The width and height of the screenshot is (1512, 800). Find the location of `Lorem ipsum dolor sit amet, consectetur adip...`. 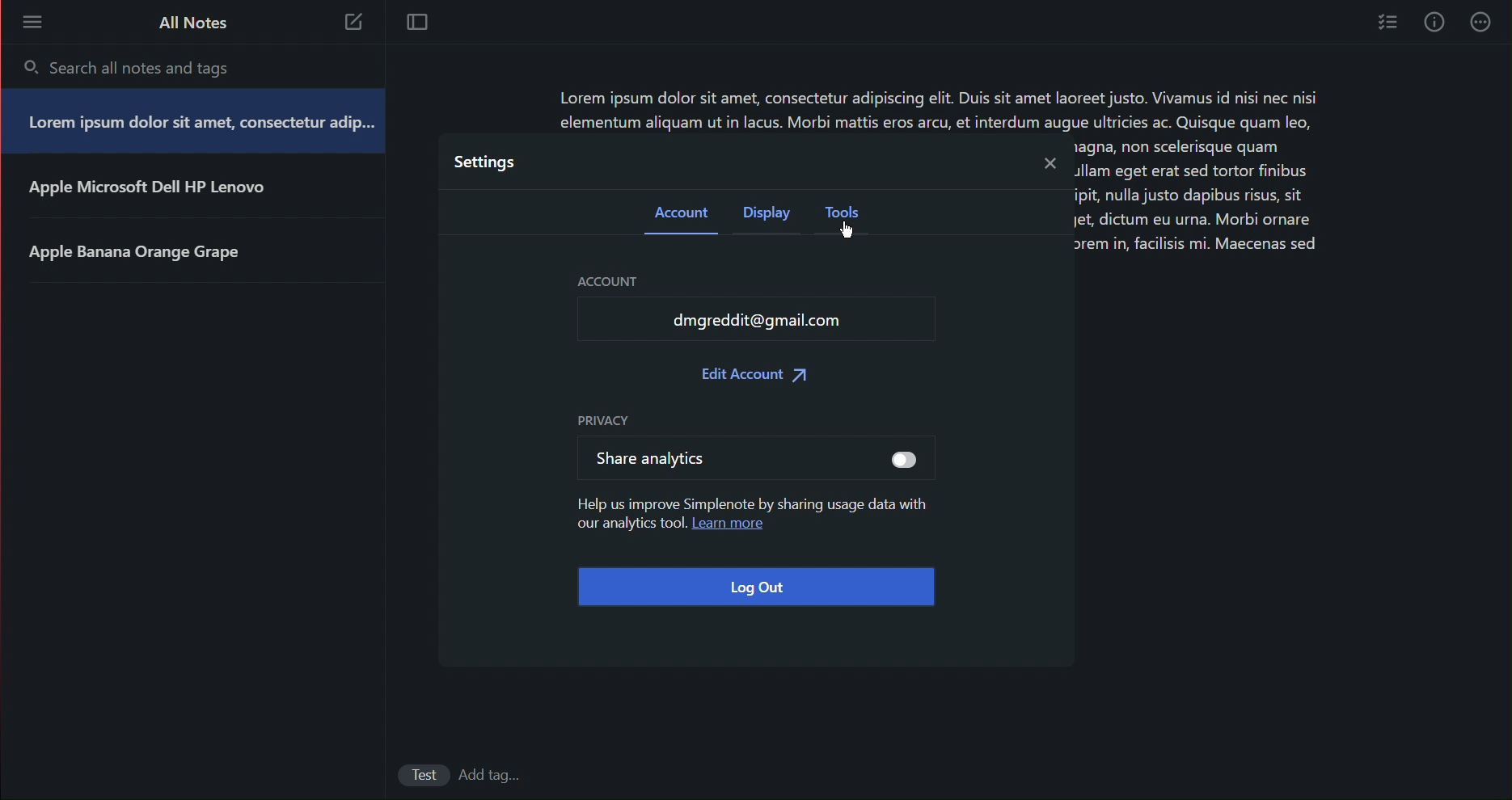

Lorem ipsum dolor sit amet, consectetur adip... is located at coordinates (200, 124).